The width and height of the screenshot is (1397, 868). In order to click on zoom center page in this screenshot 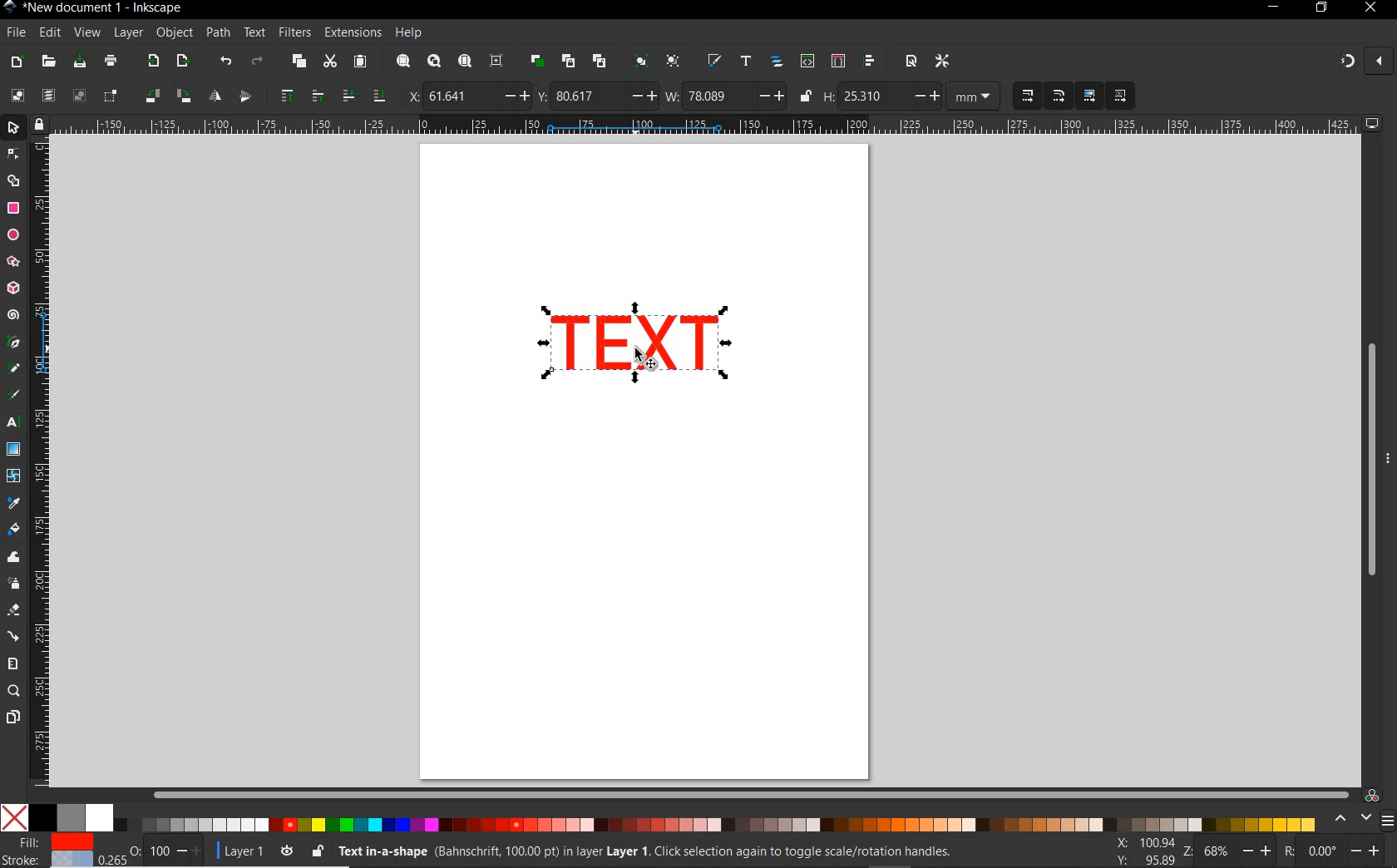, I will do `click(500, 60)`.